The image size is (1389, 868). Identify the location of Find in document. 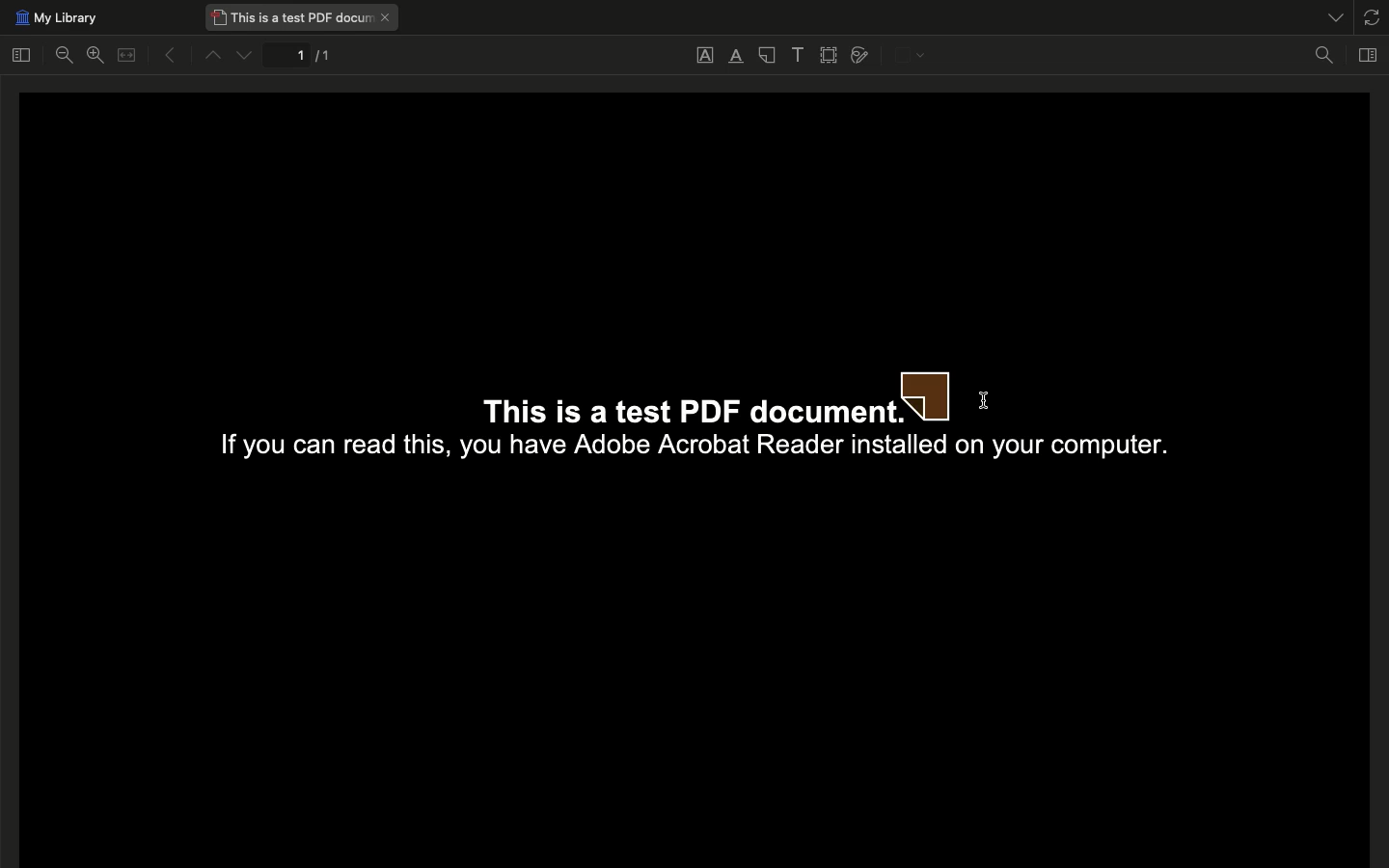
(1324, 57).